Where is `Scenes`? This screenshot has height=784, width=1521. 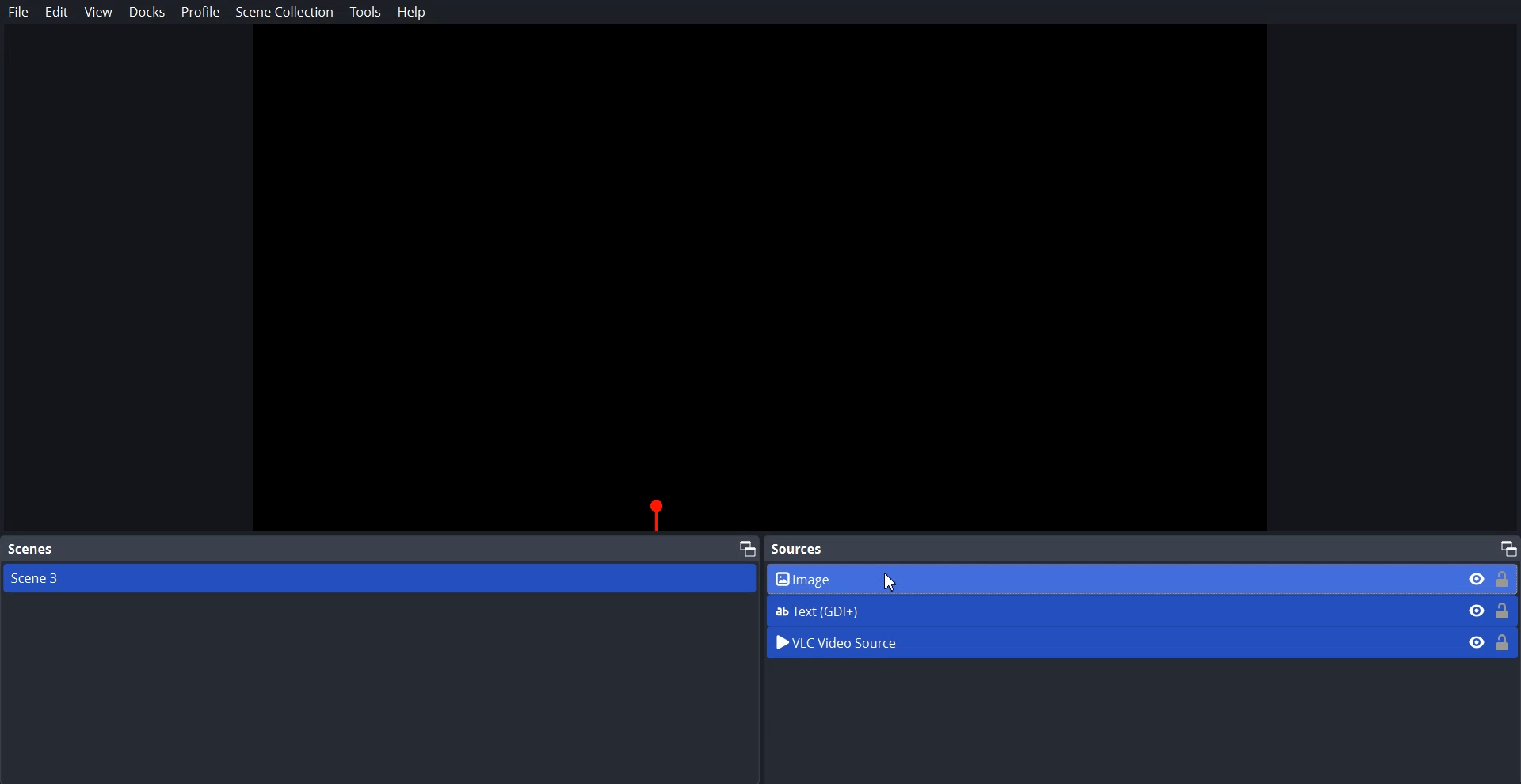
Scenes is located at coordinates (30, 550).